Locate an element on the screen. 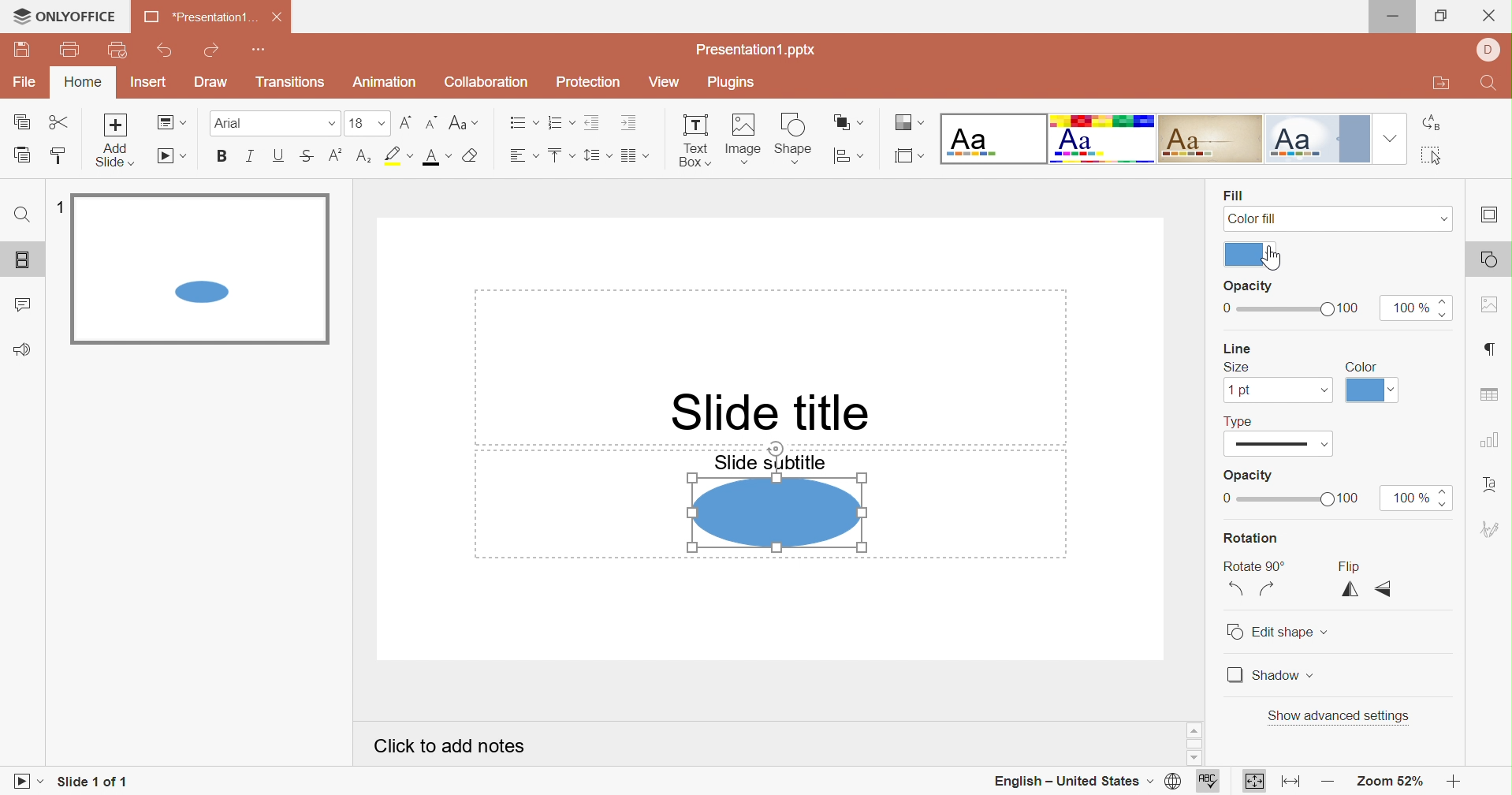 Image resolution: width=1512 pixels, height=795 pixels. Spell checking is located at coordinates (1210, 781).